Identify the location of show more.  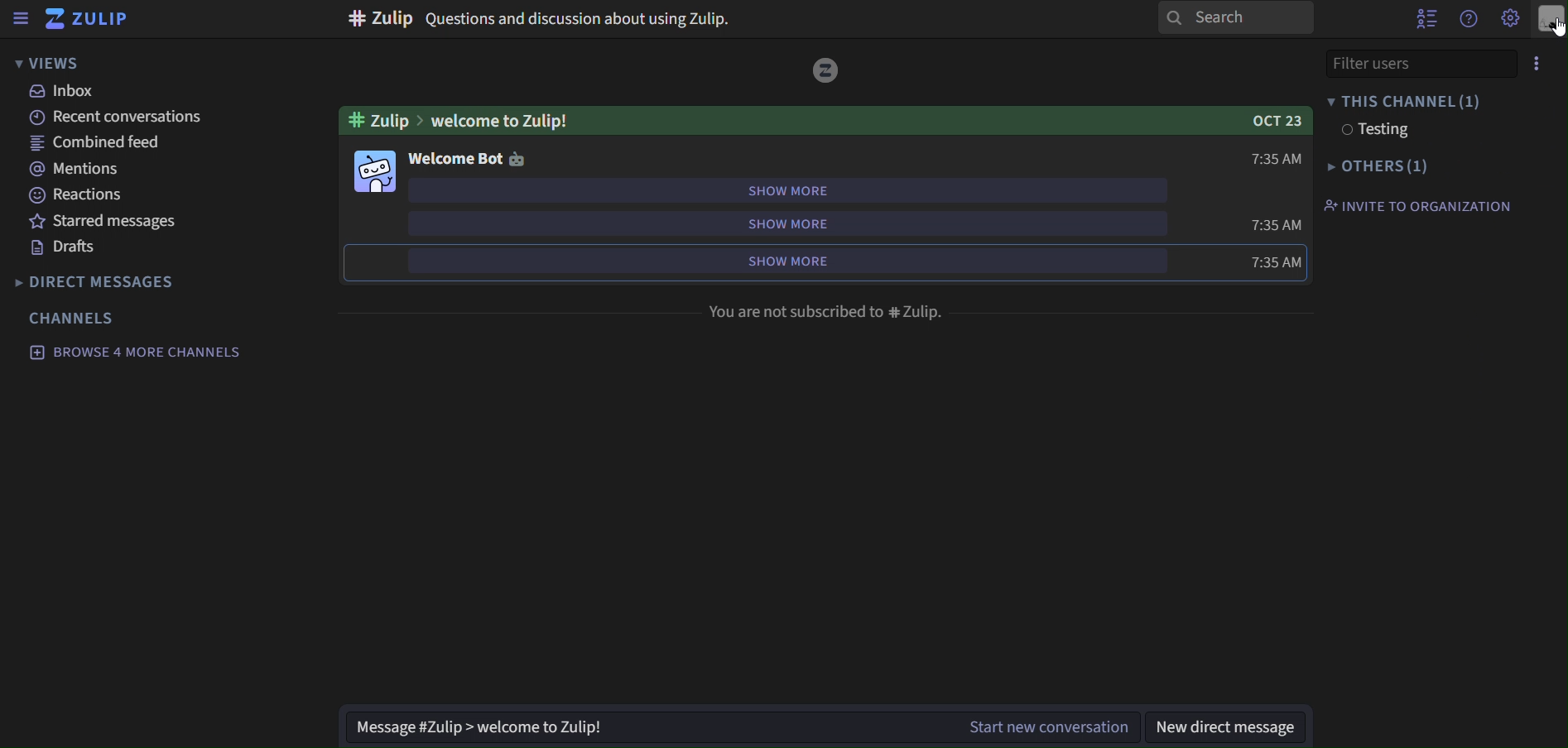
(790, 221).